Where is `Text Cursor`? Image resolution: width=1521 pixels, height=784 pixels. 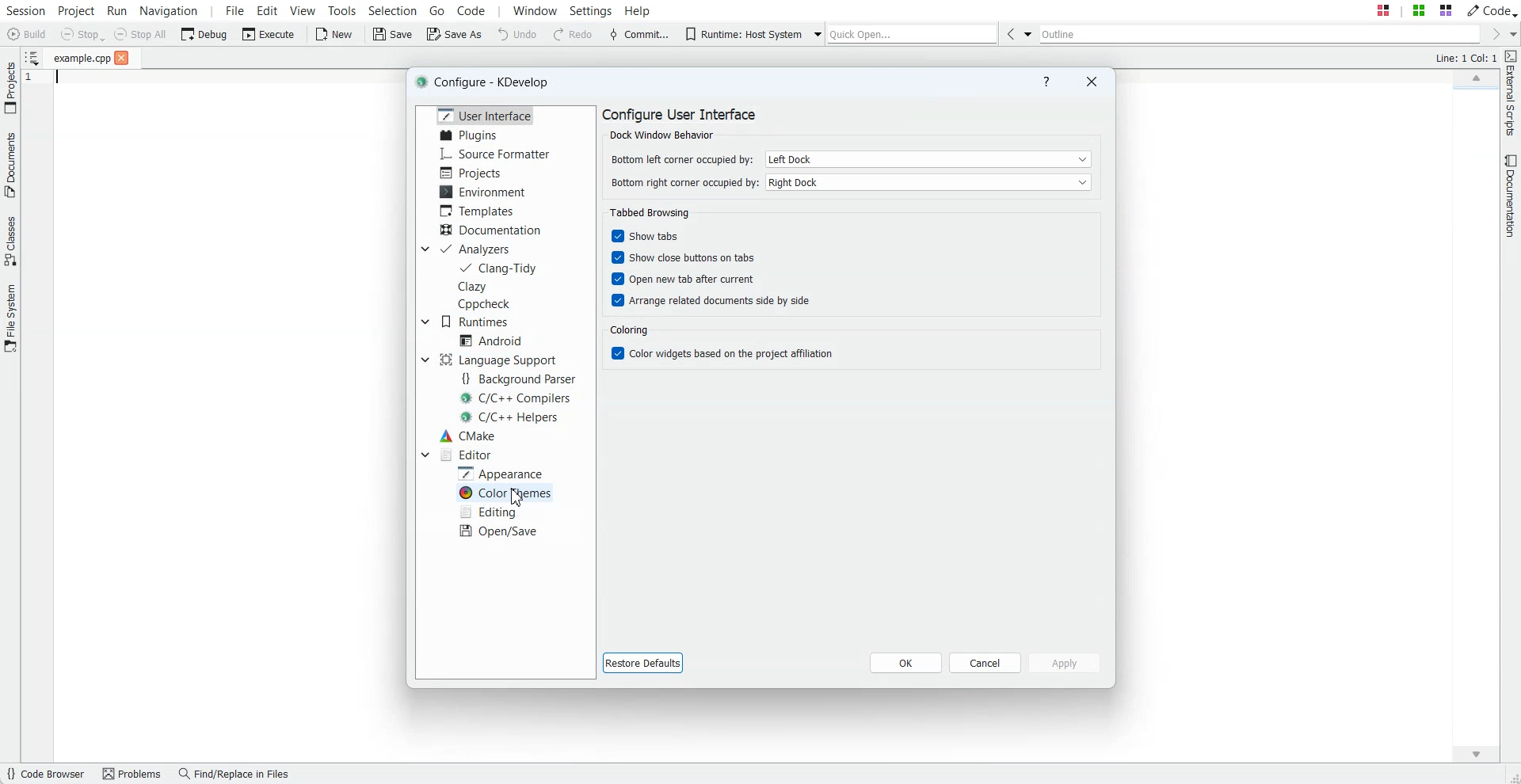
Text Cursor is located at coordinates (55, 82).